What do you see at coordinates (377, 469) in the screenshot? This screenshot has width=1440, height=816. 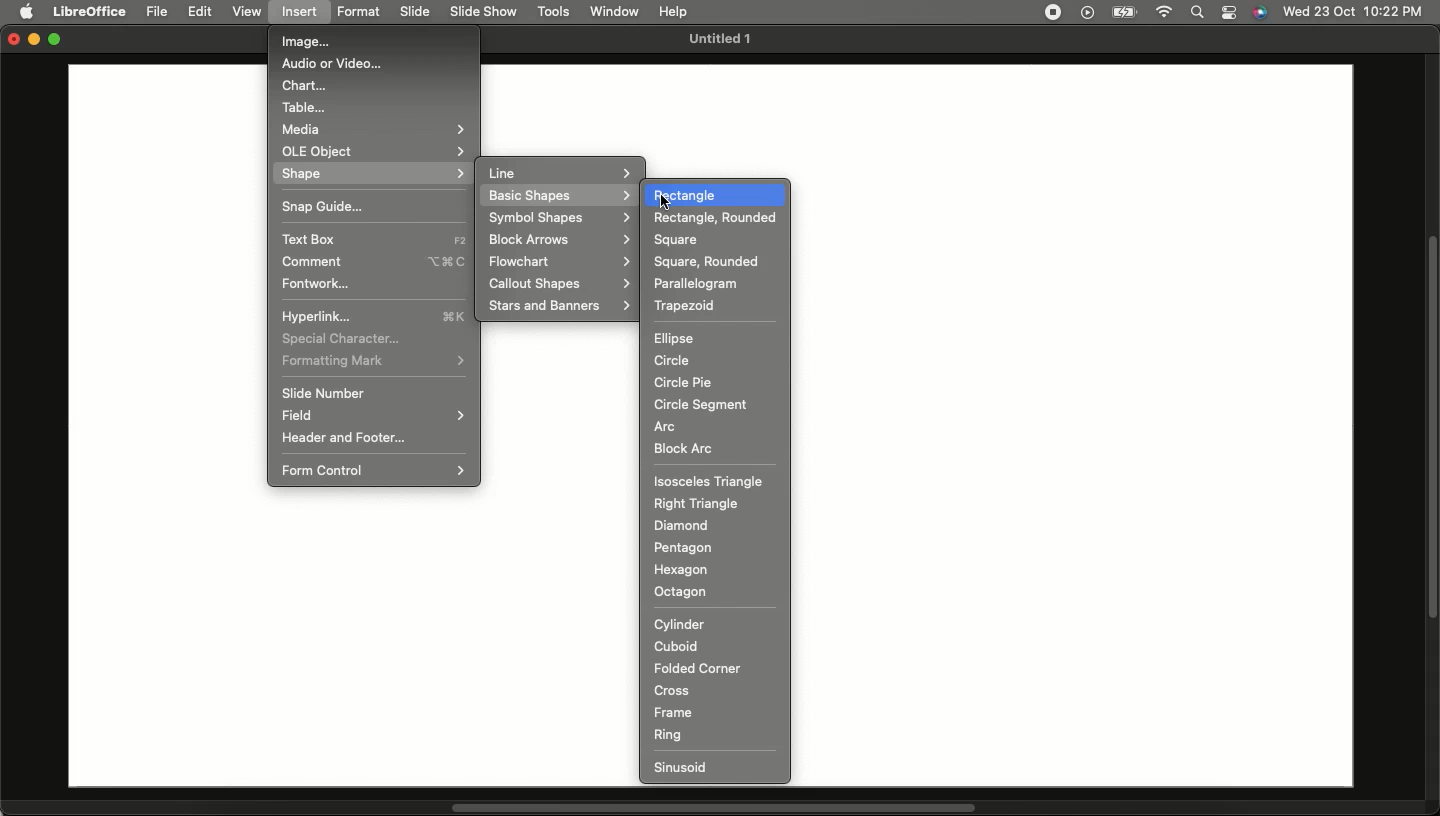 I see `Form control` at bounding box center [377, 469].